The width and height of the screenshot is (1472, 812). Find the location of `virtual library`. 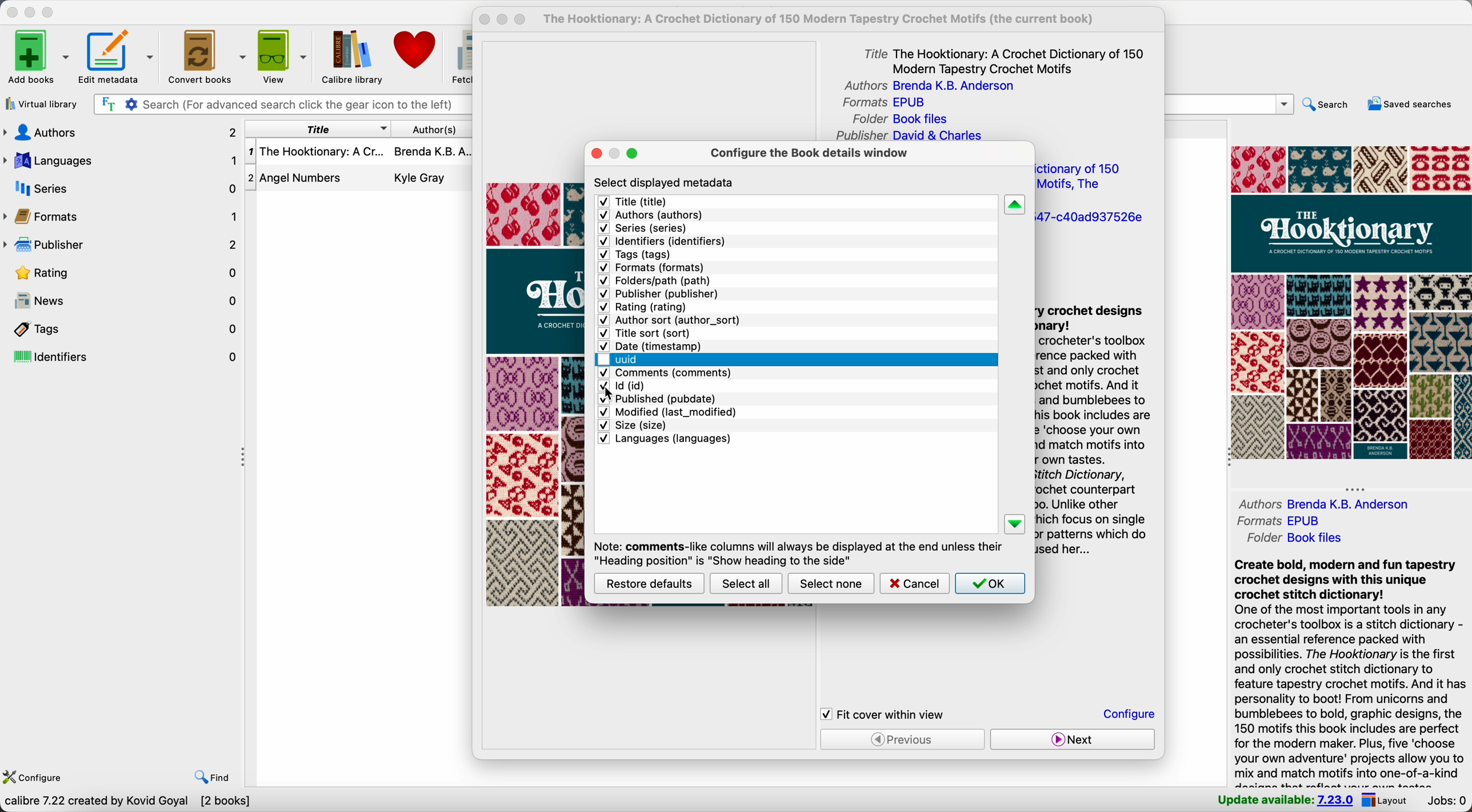

virtual library is located at coordinates (41, 103).